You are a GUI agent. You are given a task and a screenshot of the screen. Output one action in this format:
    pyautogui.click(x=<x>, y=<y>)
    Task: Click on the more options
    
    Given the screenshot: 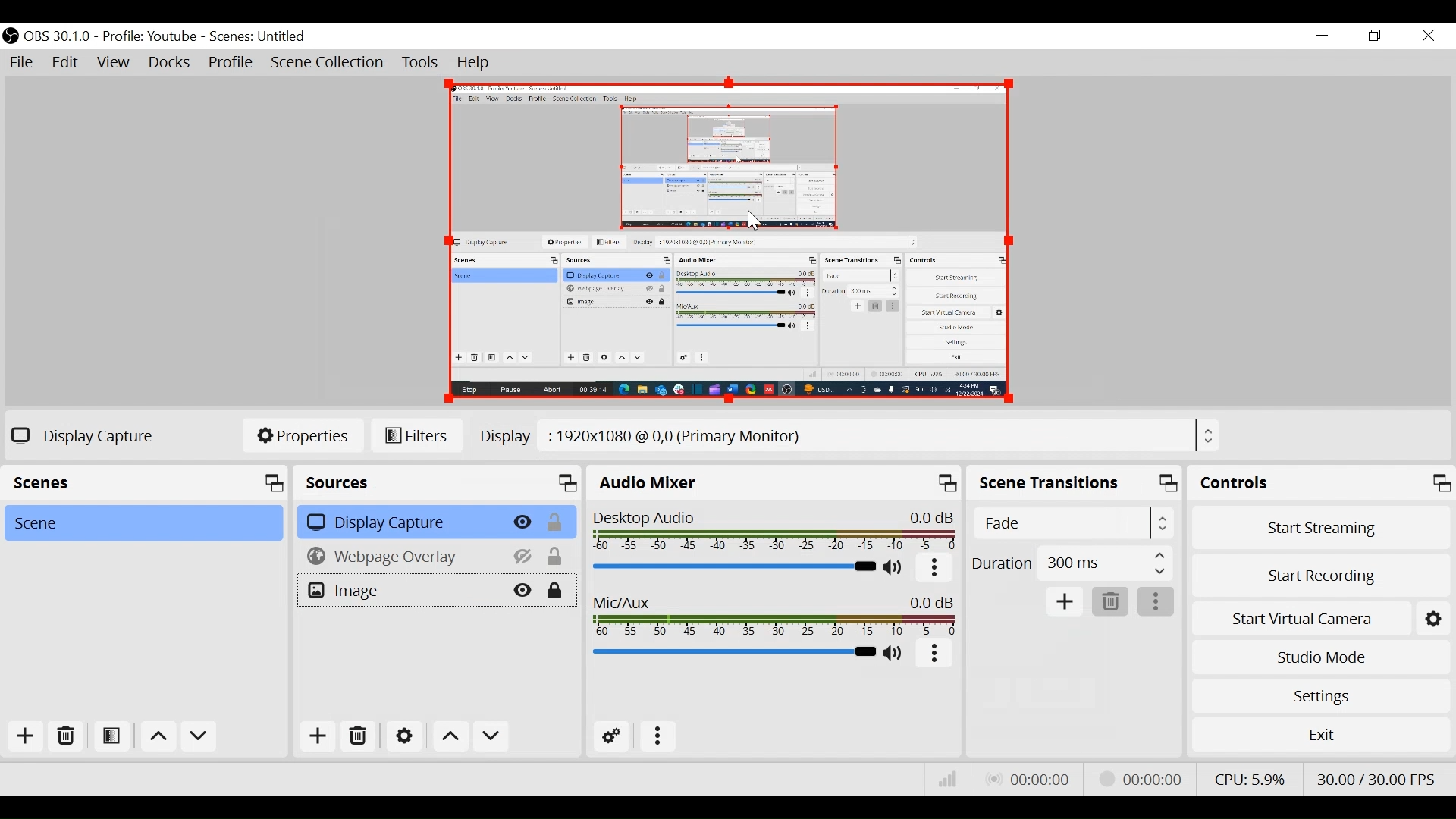 What is the action you would take?
    pyautogui.click(x=935, y=654)
    